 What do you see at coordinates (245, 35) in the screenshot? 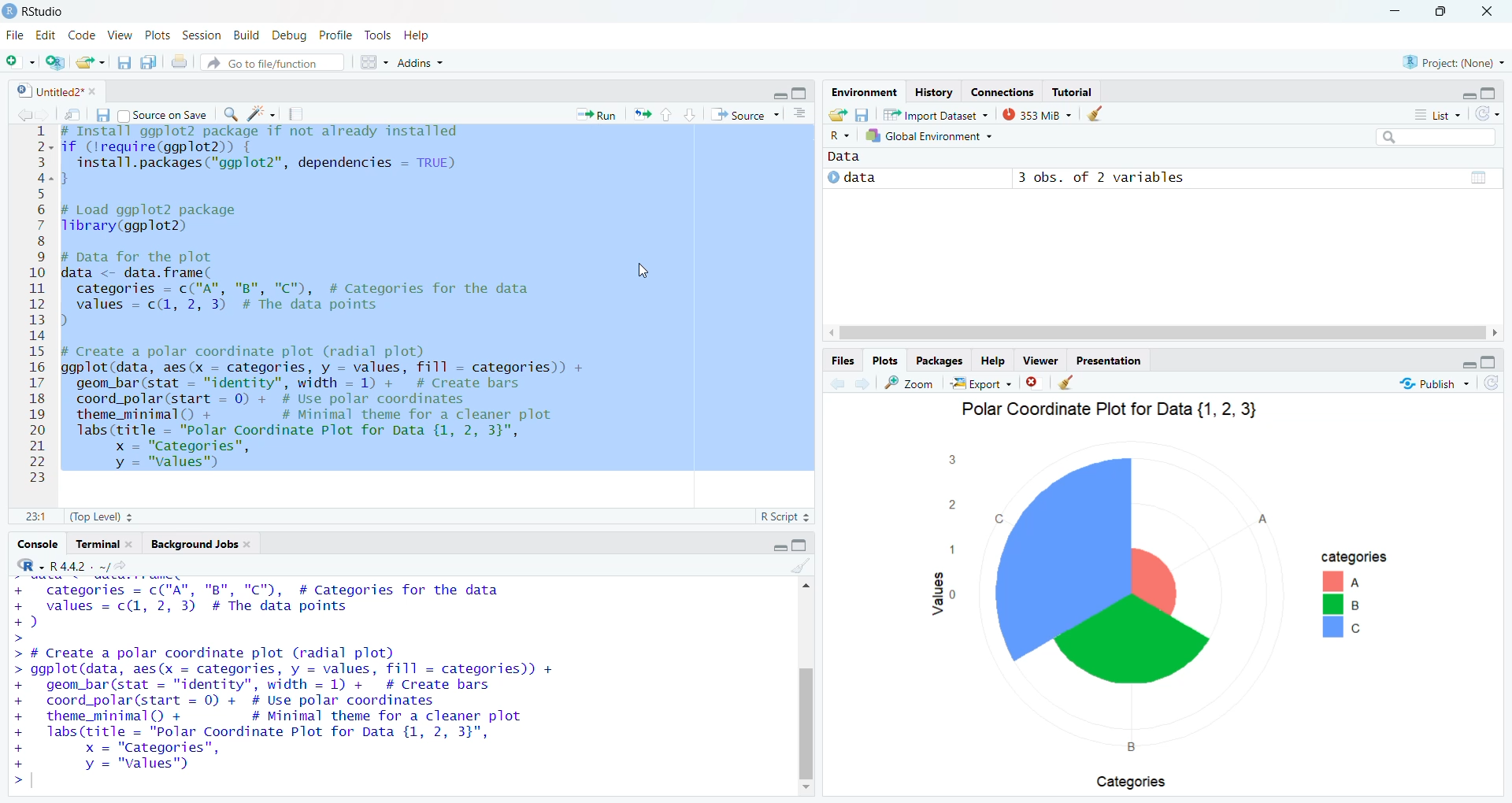
I see `Build` at bounding box center [245, 35].